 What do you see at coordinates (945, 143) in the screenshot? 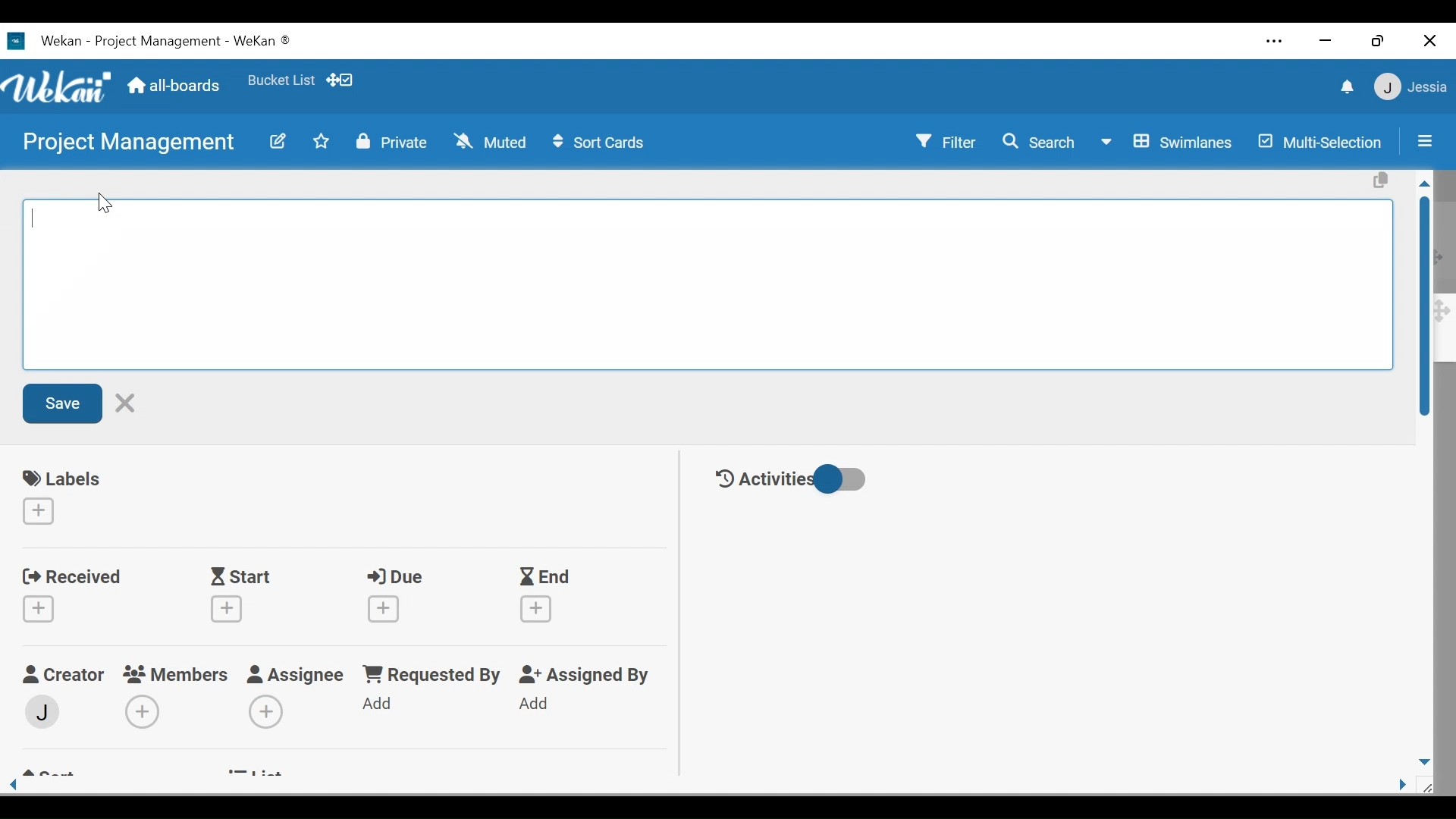
I see `Filter` at bounding box center [945, 143].